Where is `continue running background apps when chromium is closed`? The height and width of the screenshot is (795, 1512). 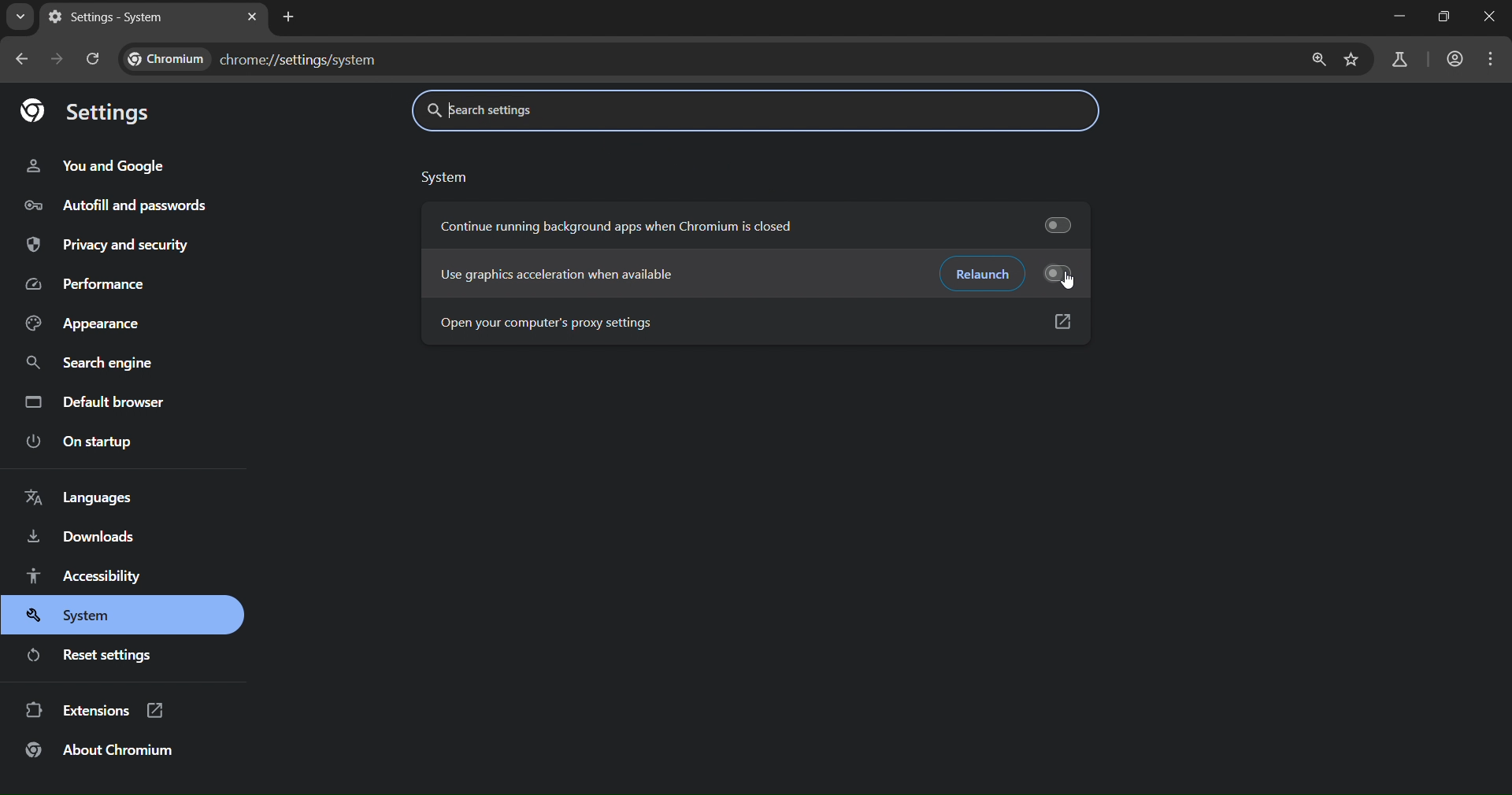 continue running background apps when chromium is closed is located at coordinates (621, 224).